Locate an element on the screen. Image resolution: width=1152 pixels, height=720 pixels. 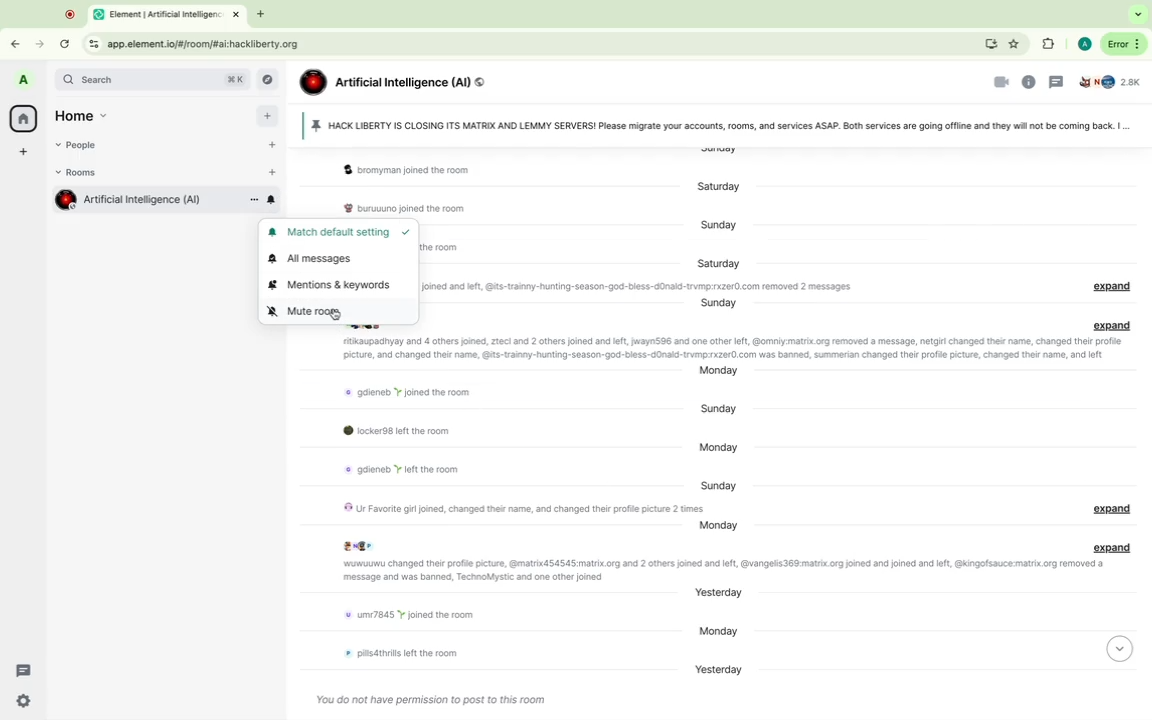
Start chat is located at coordinates (272, 145).